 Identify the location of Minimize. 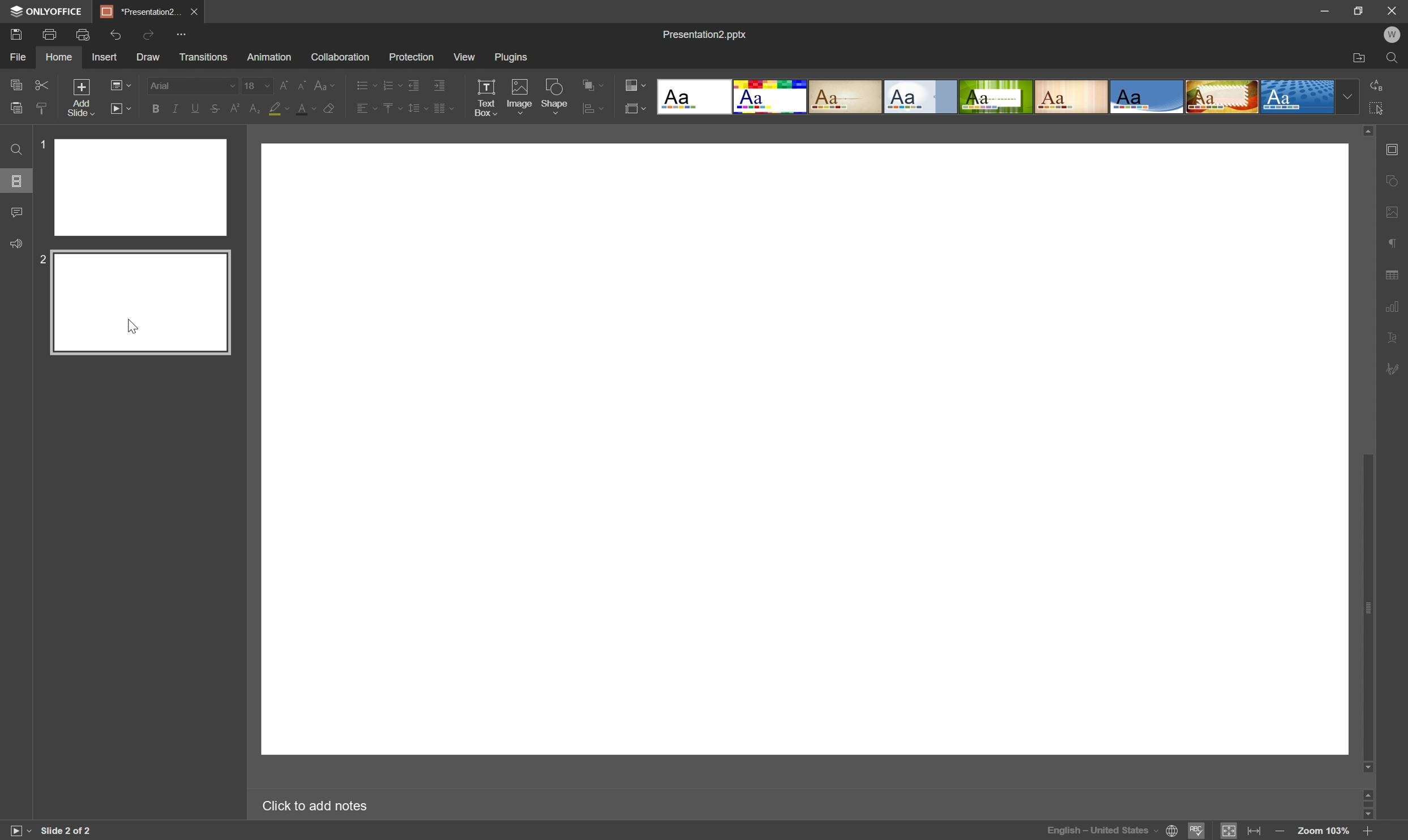
(1327, 8).